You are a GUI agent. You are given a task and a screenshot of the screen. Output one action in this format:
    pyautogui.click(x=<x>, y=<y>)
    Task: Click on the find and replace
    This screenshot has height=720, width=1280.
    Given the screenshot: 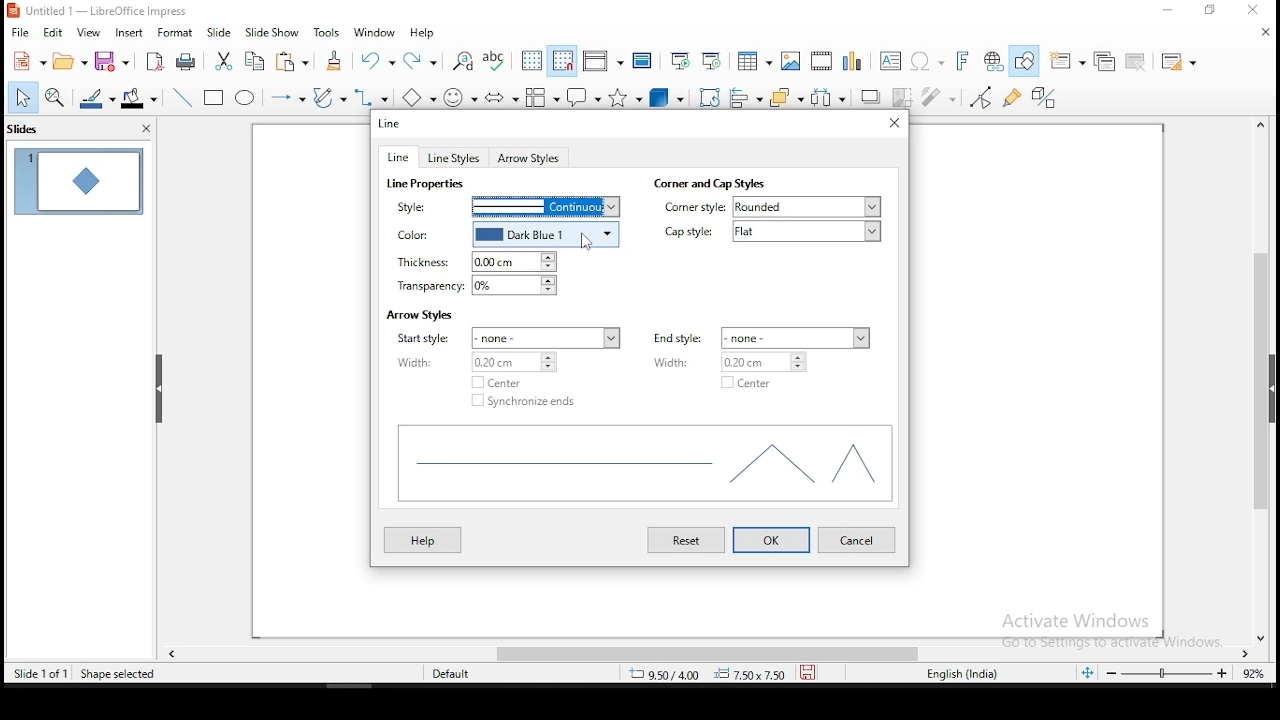 What is the action you would take?
    pyautogui.click(x=463, y=59)
    